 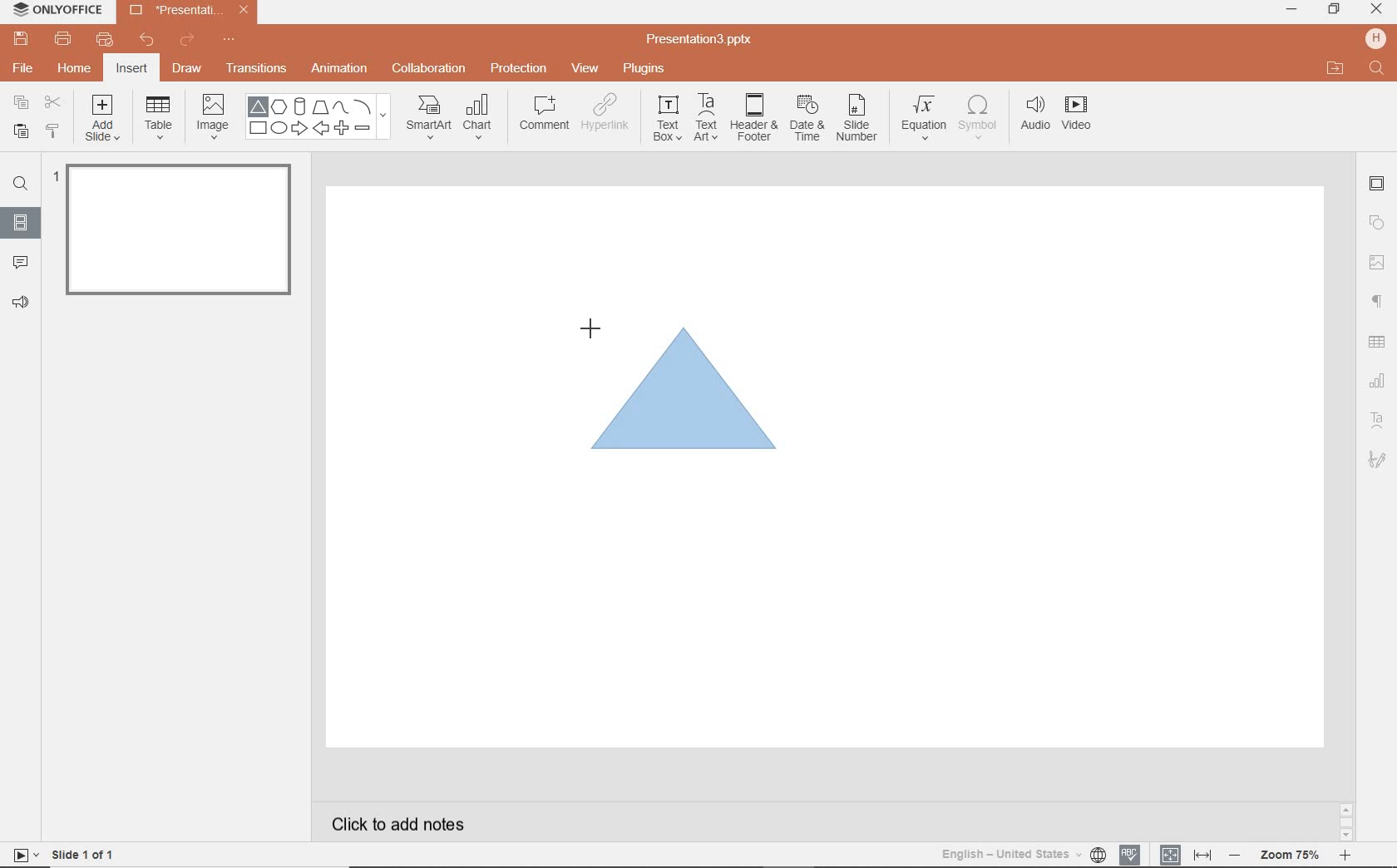 What do you see at coordinates (1376, 10) in the screenshot?
I see `CLOSE` at bounding box center [1376, 10].